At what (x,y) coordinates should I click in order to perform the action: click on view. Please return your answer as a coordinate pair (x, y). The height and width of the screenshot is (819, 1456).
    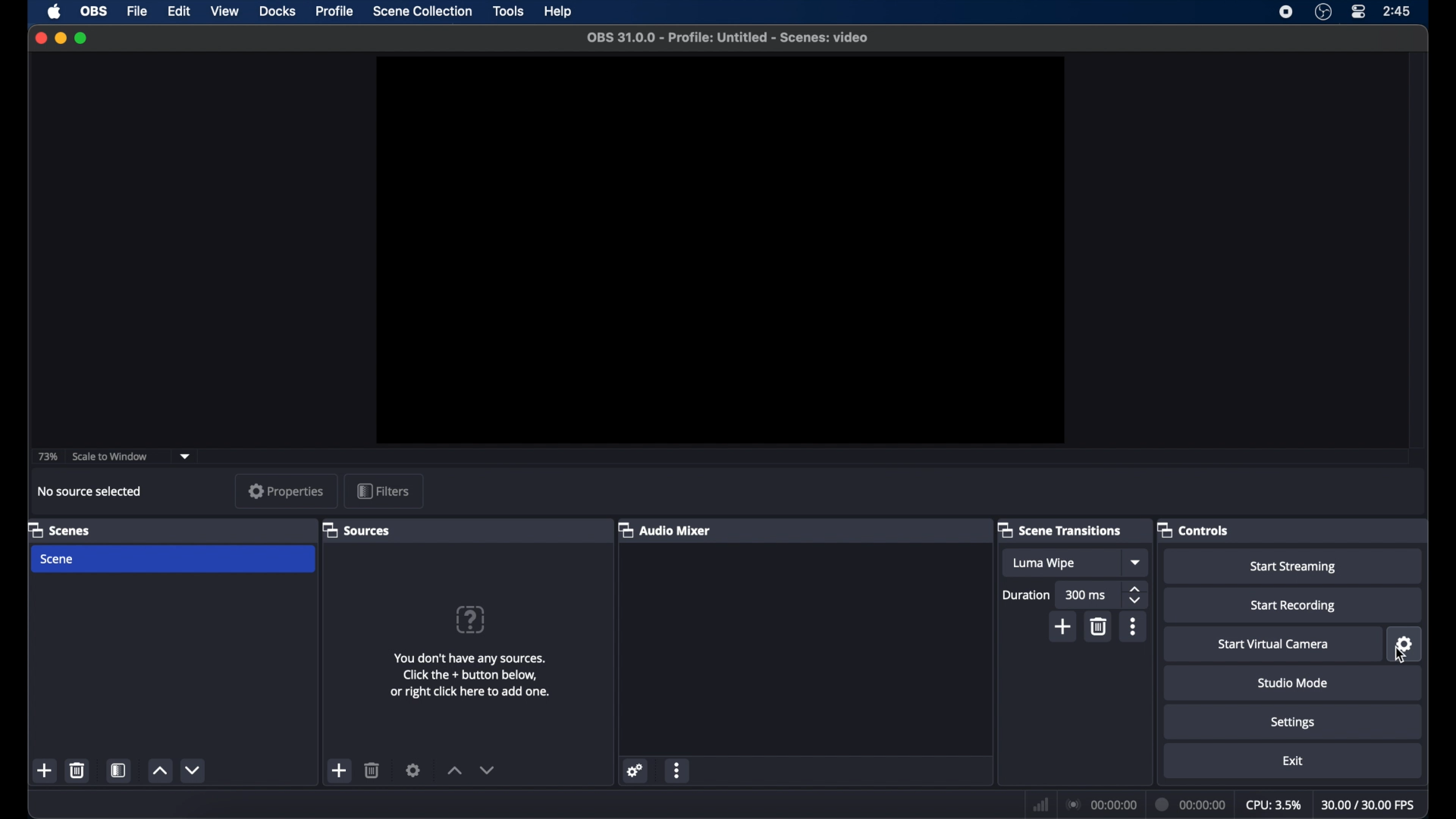
    Looking at the image, I should click on (224, 12).